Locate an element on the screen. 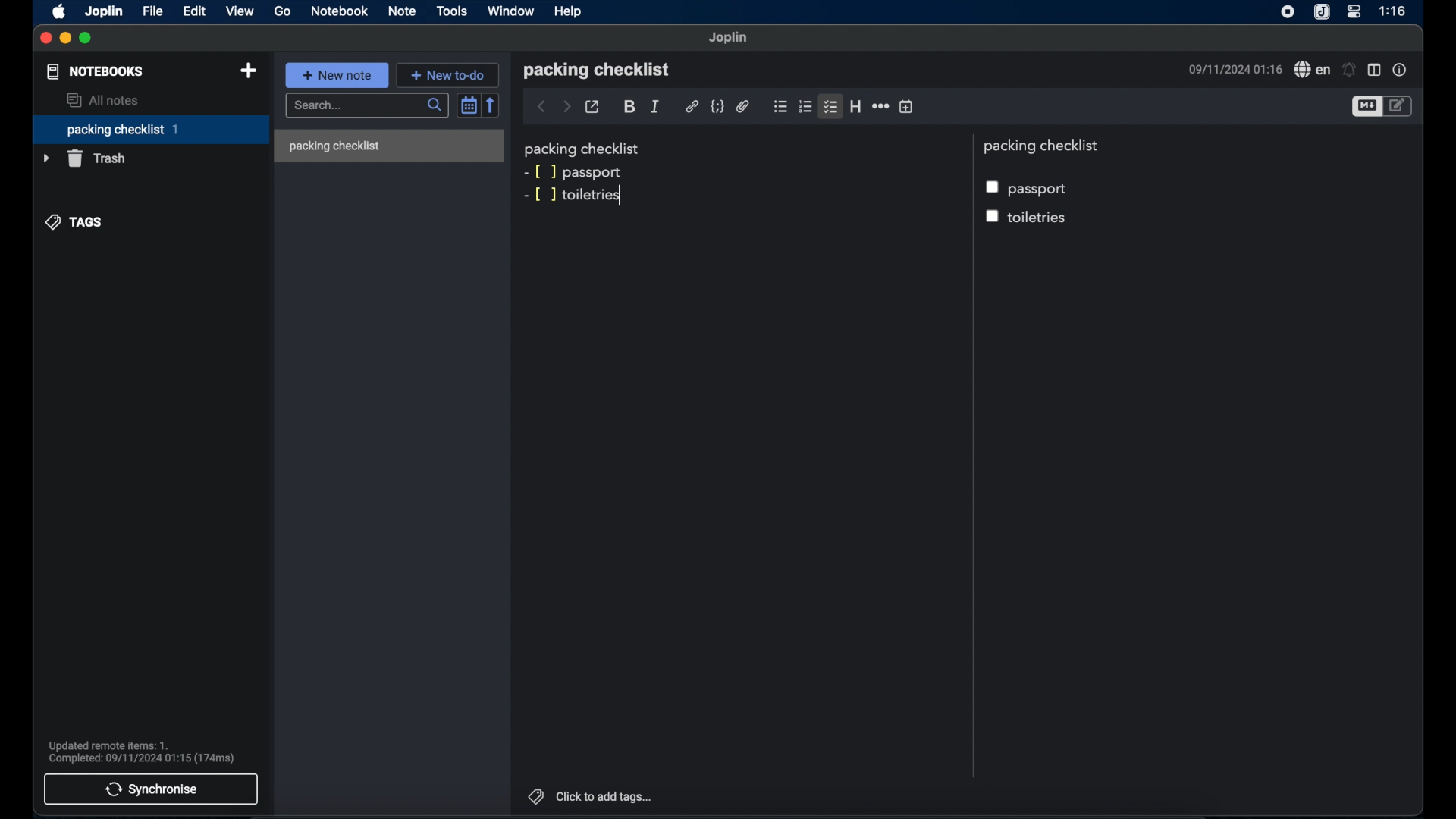  toggle editor layout is located at coordinates (1375, 69).